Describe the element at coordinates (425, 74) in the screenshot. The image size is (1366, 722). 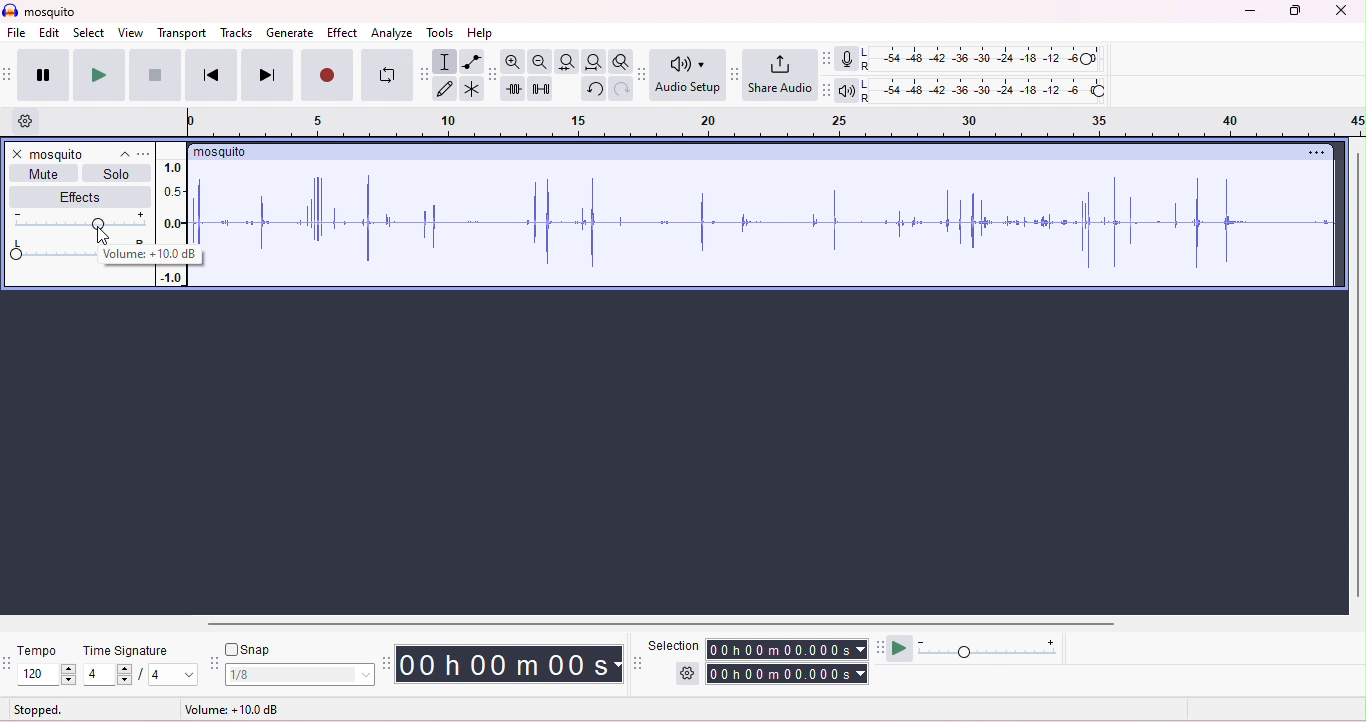
I see `tools toolbar` at that location.